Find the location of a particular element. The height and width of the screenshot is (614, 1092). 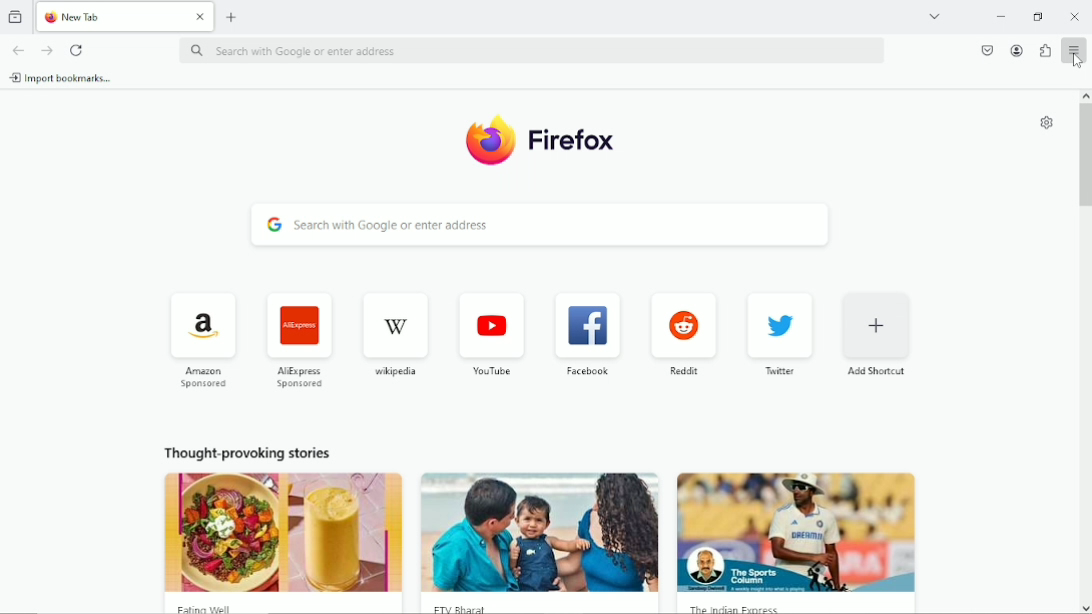

AliExpress is located at coordinates (298, 380).